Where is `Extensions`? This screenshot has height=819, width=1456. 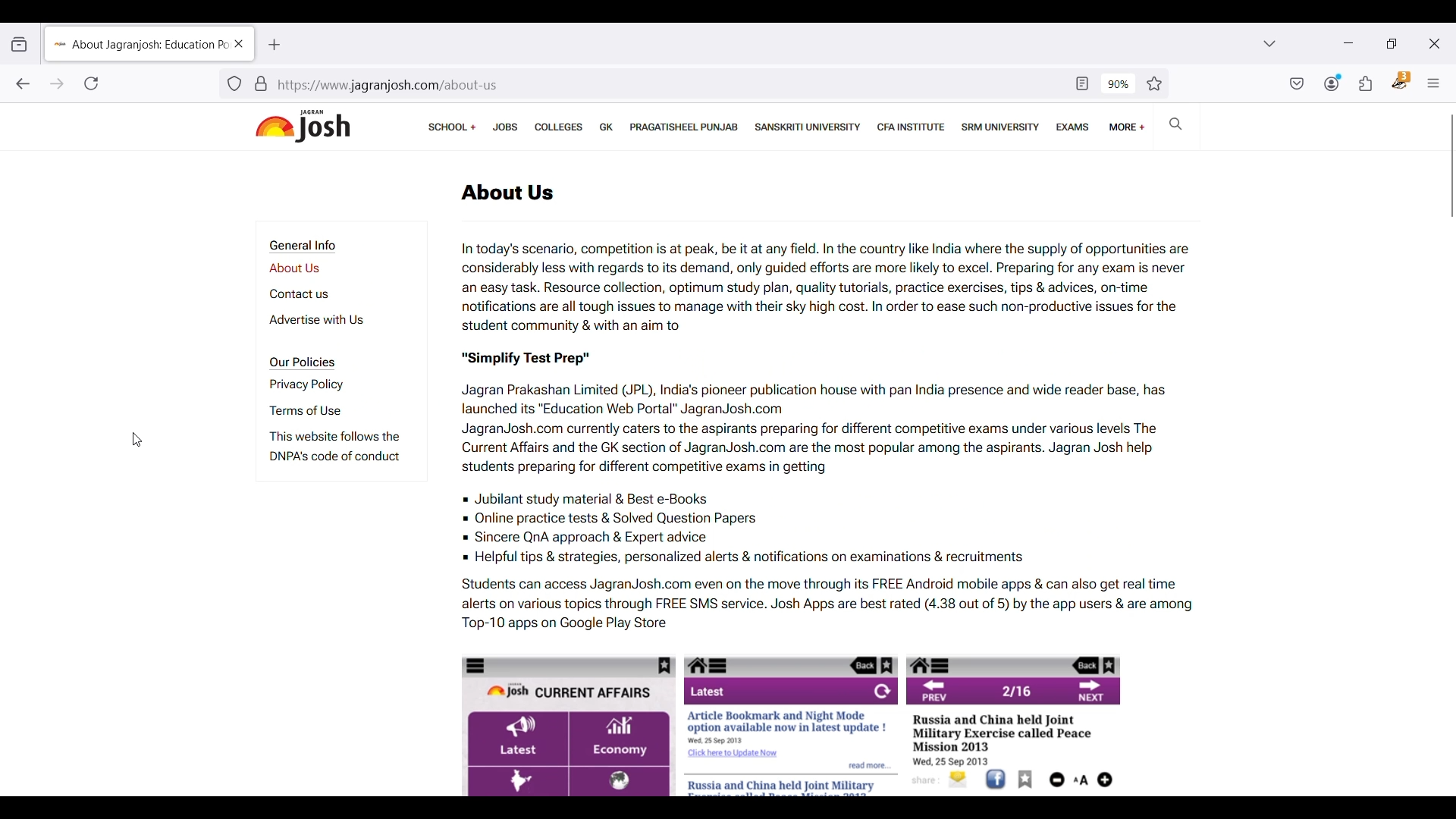 Extensions is located at coordinates (1366, 83).